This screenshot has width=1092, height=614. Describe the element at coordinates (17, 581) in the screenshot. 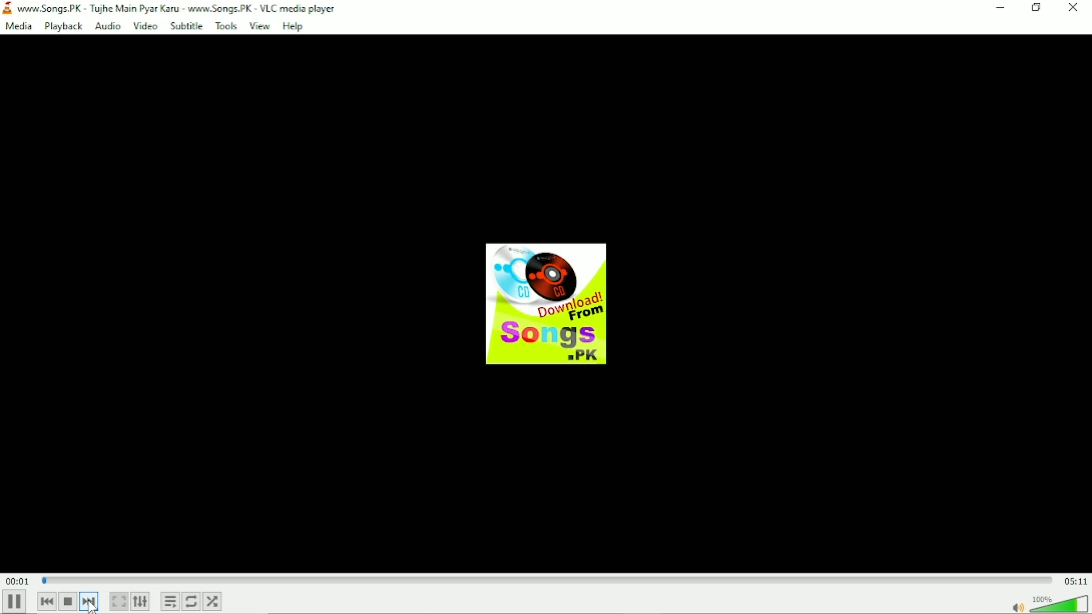

I see `Elapsed time` at that location.